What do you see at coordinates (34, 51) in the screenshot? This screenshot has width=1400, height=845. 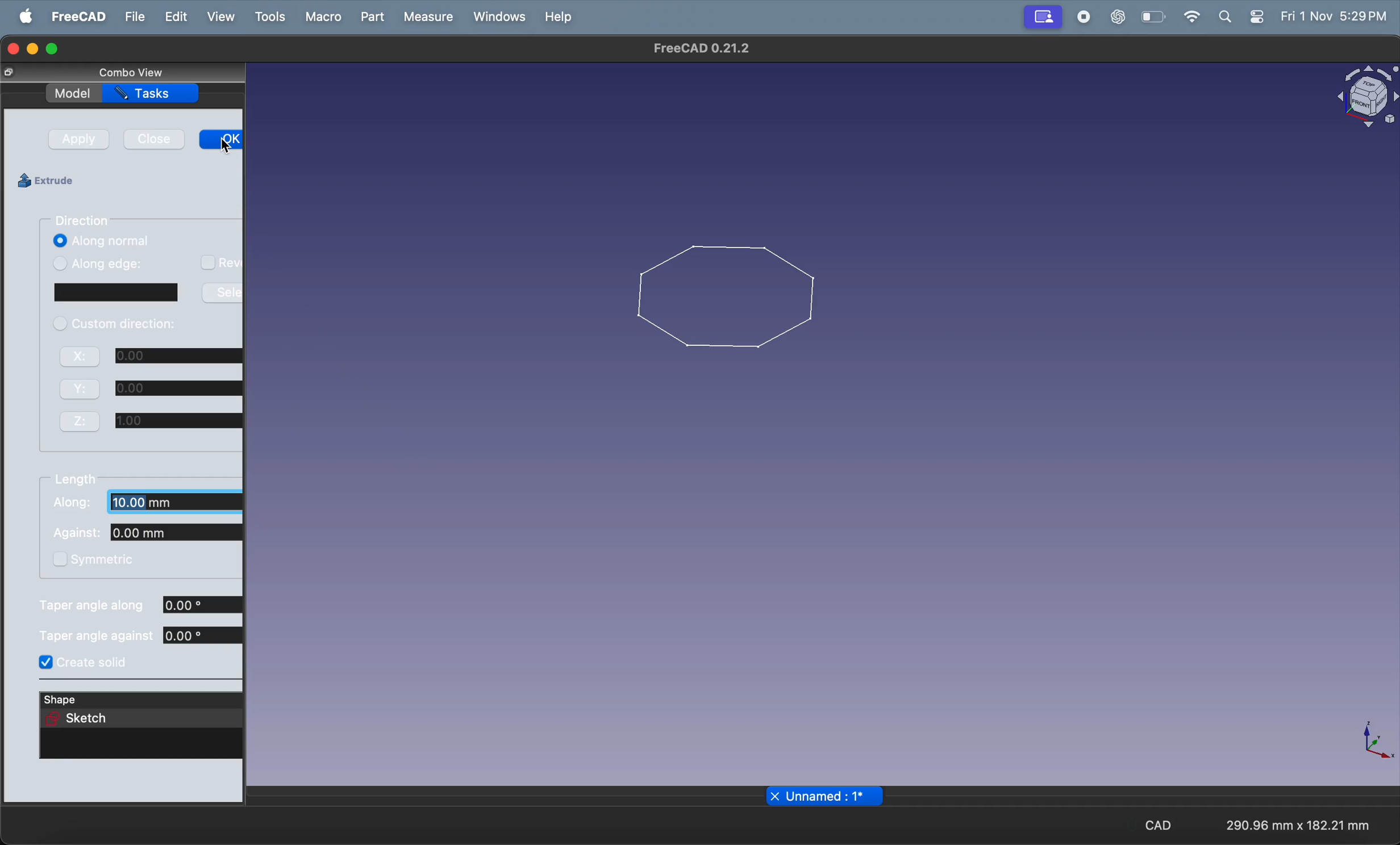 I see `minimize` at bounding box center [34, 51].